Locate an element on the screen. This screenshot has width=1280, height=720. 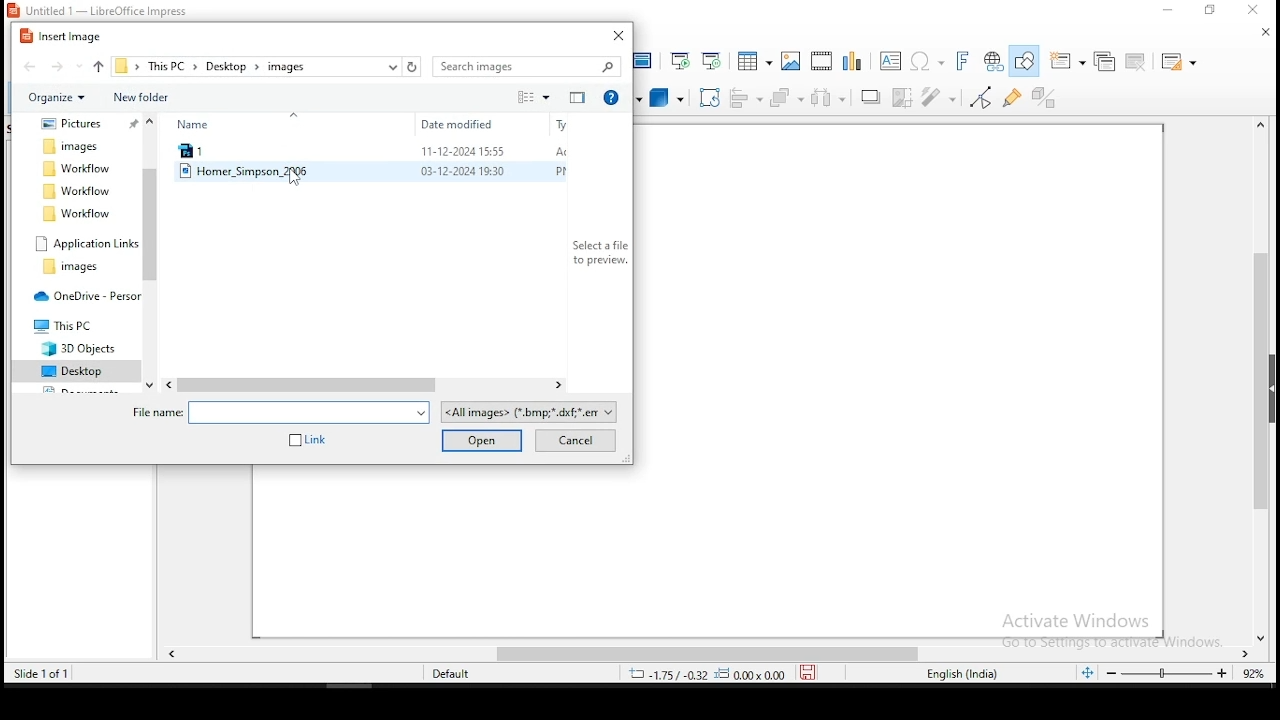
scroll down is located at coordinates (1268, 642).